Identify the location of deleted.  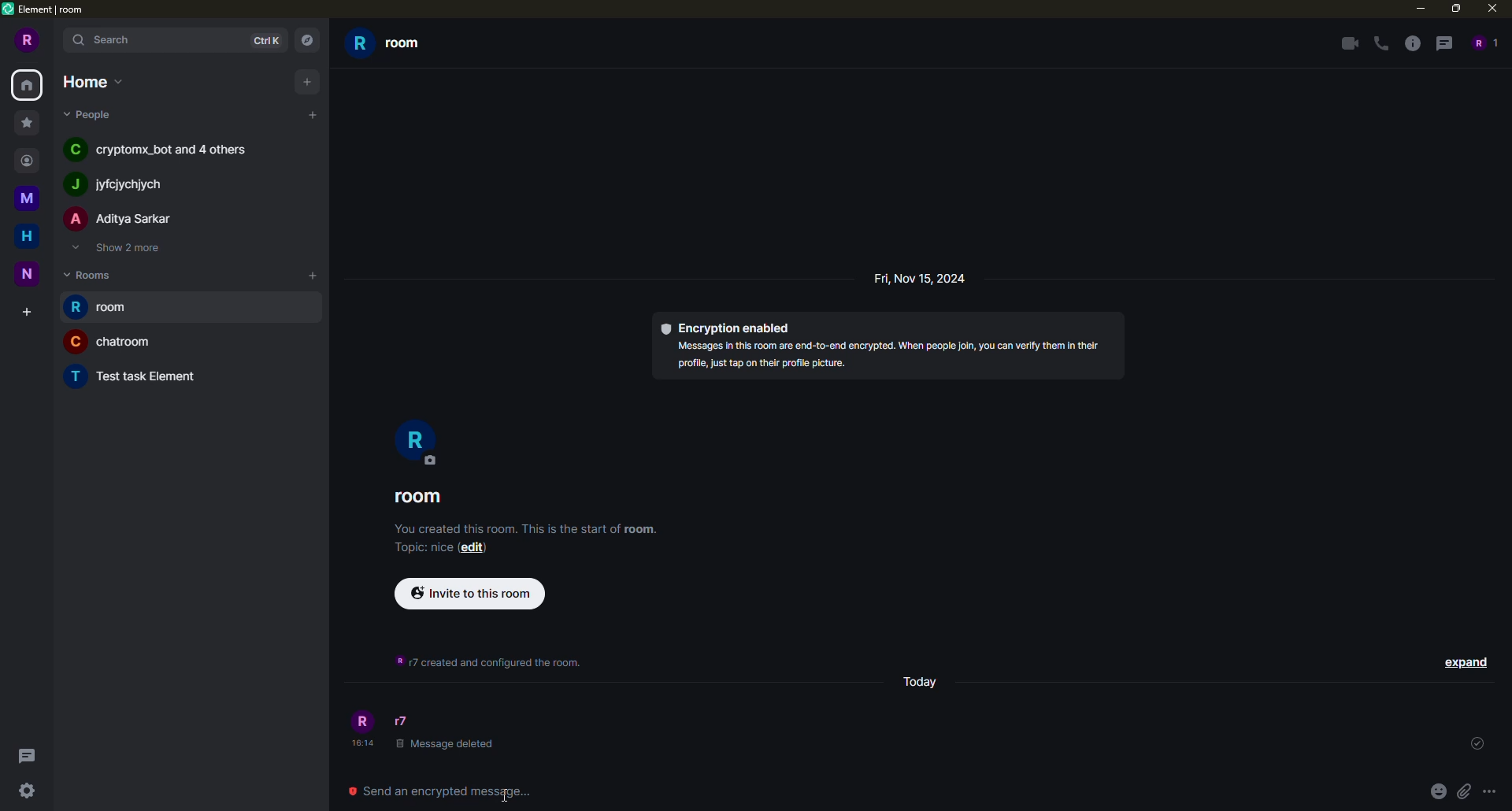
(444, 743).